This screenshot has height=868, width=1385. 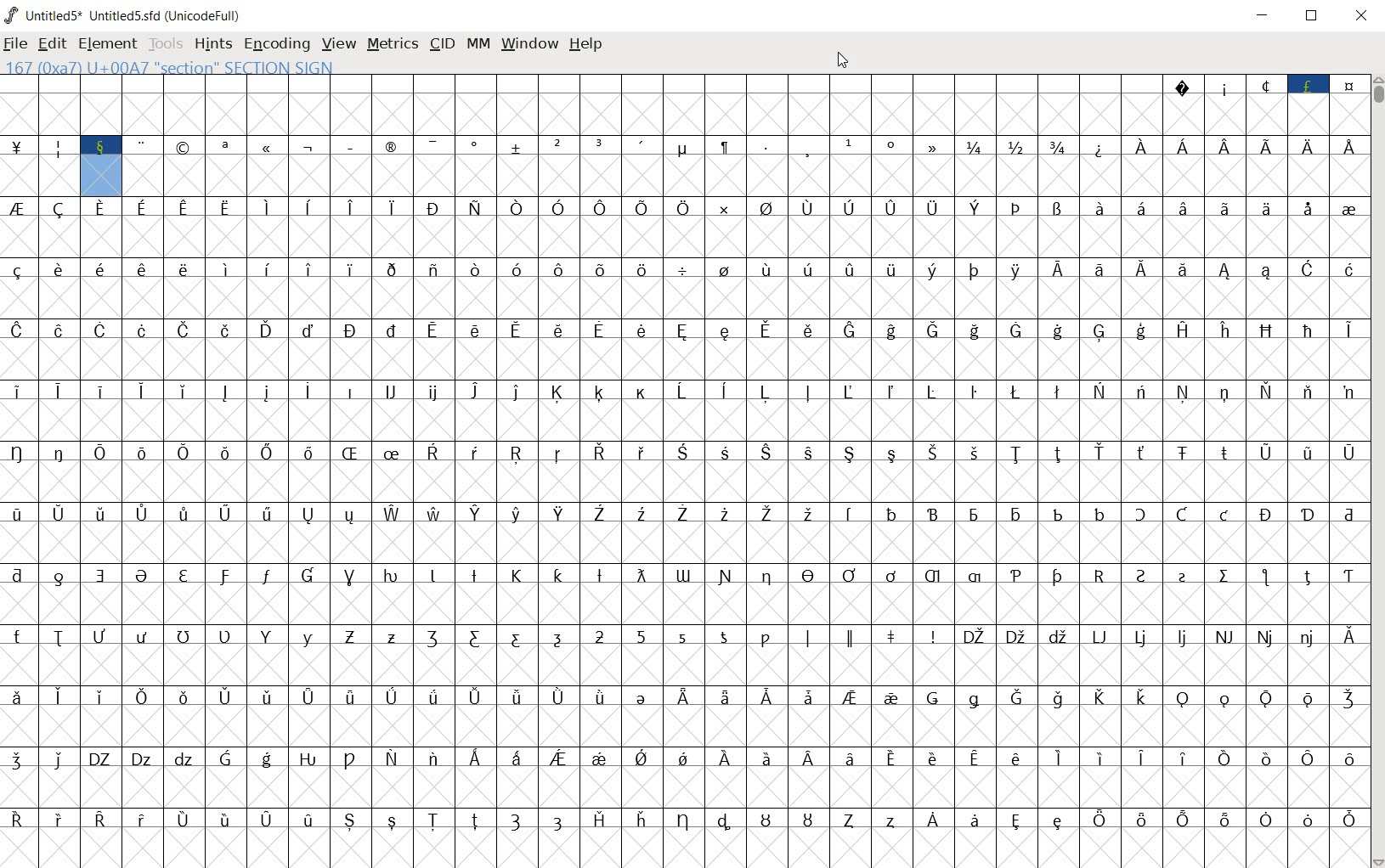 I want to click on Latin extended characters, so click(x=1036, y=807).